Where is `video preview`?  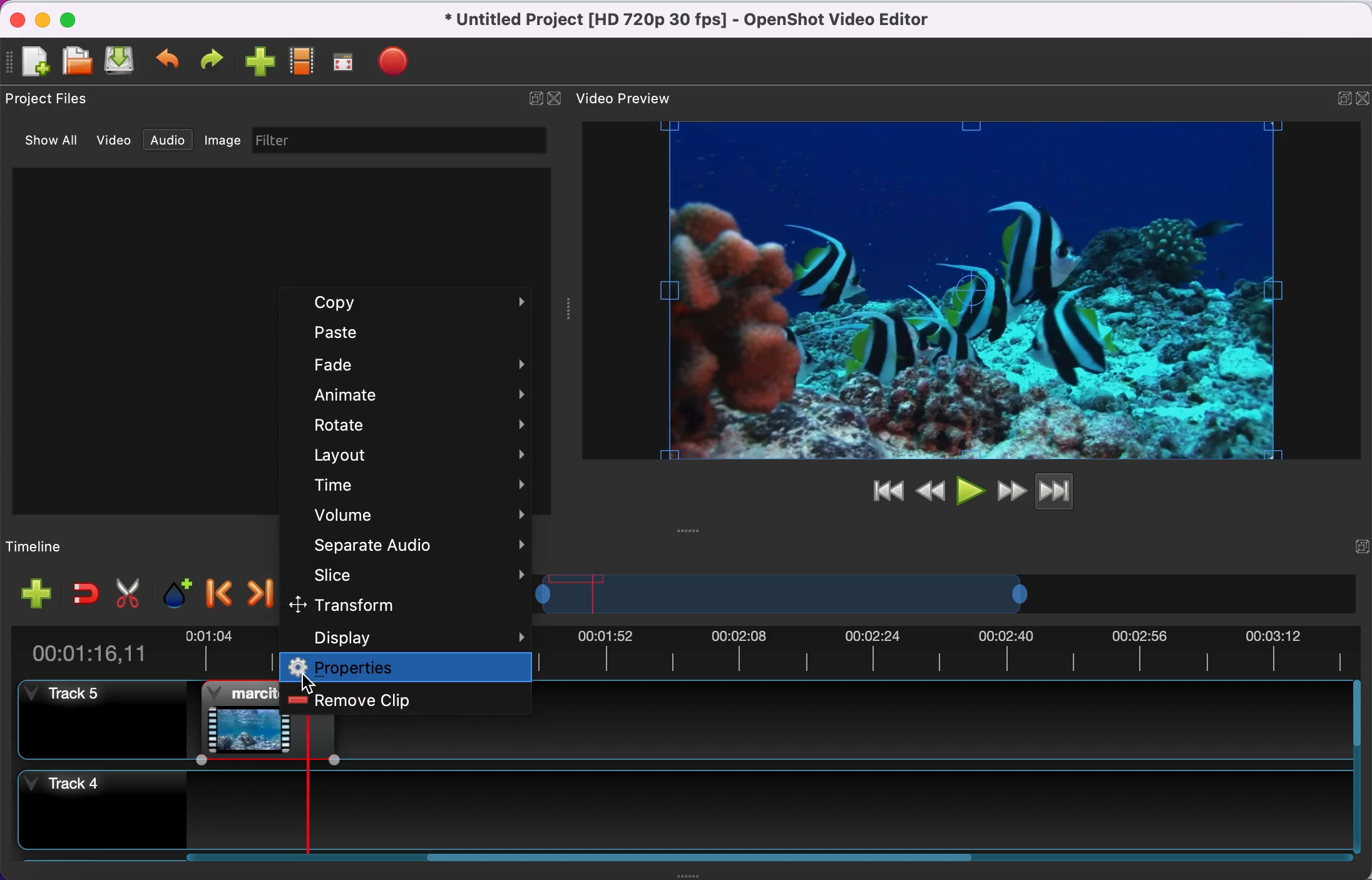 video preview is located at coordinates (939, 290).